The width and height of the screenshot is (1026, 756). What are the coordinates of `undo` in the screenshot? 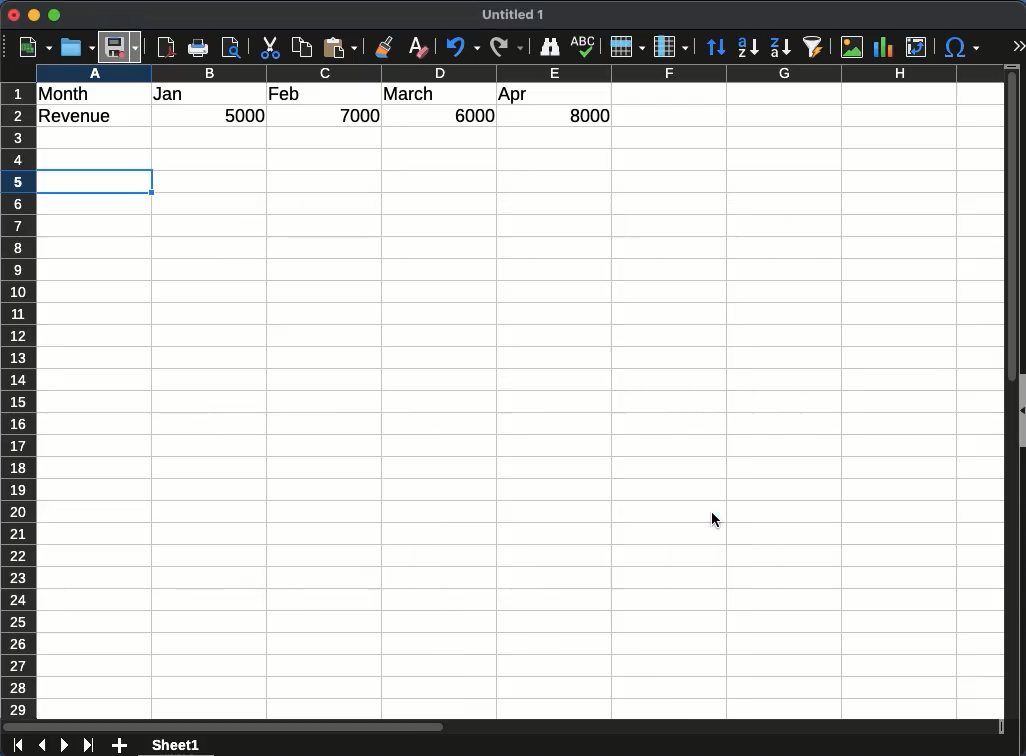 It's located at (460, 48).